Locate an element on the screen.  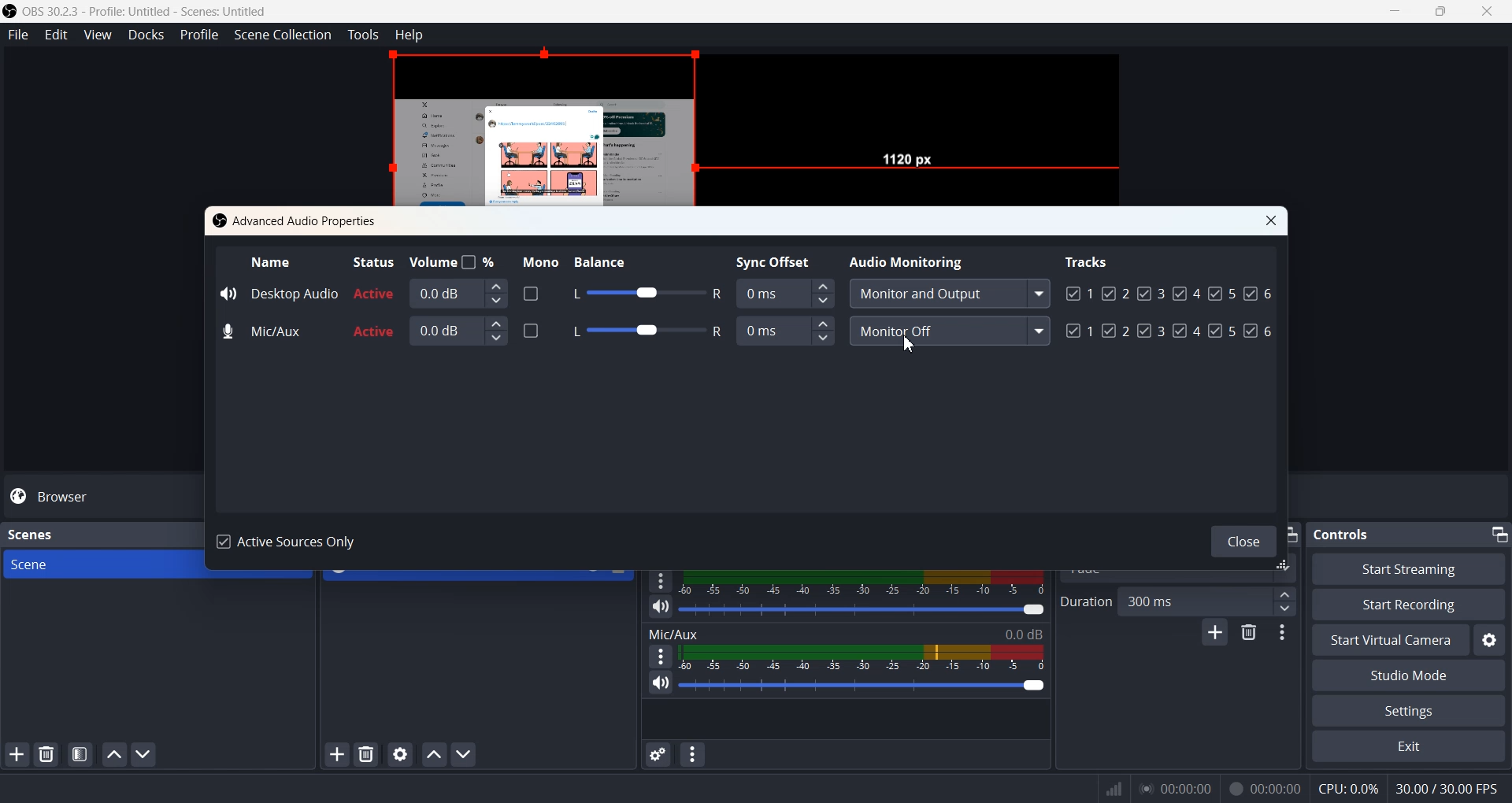
Signals is located at coordinates (1109, 789).